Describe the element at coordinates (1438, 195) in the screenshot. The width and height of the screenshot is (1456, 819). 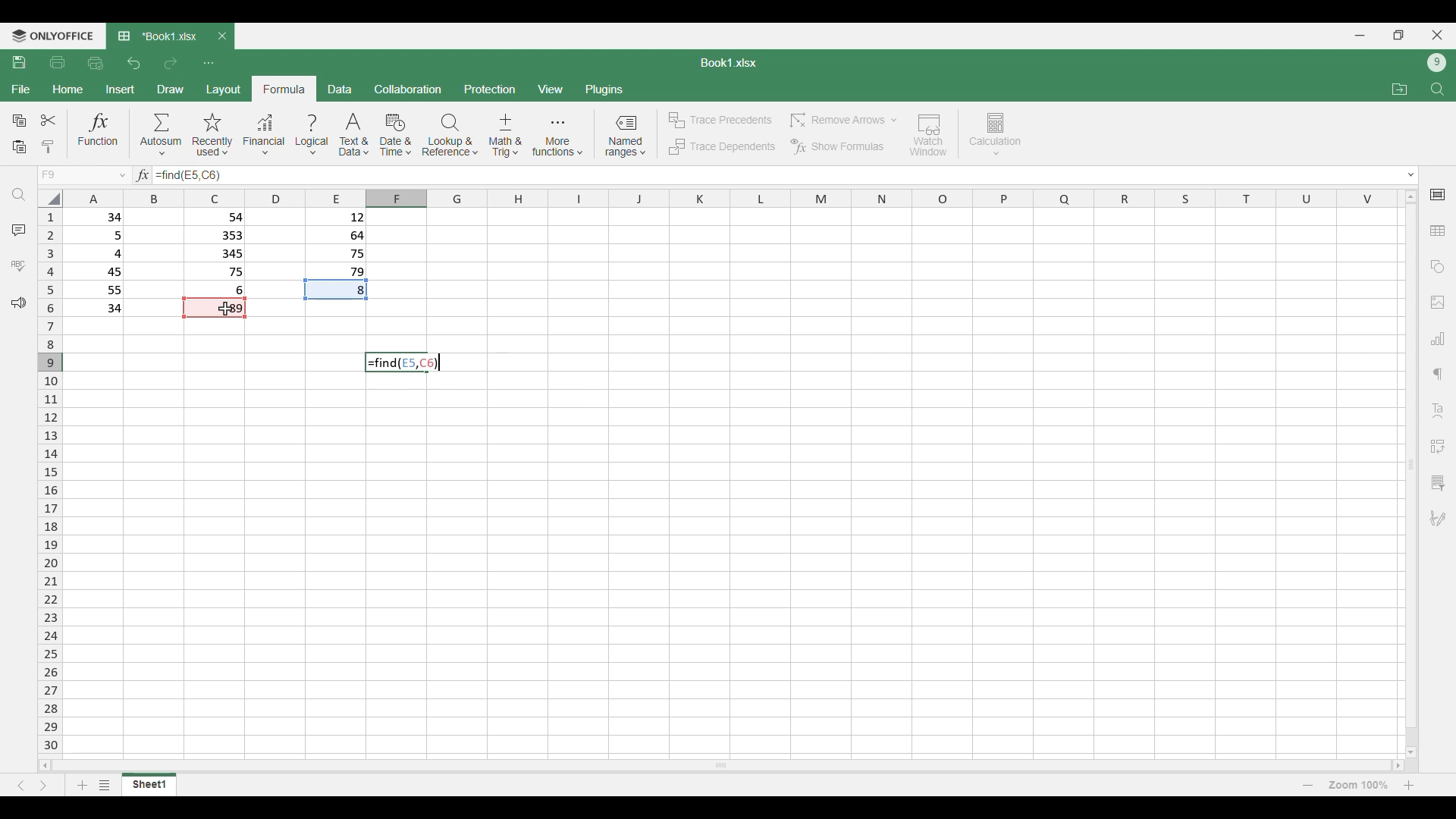
I see `Cell settings` at that location.